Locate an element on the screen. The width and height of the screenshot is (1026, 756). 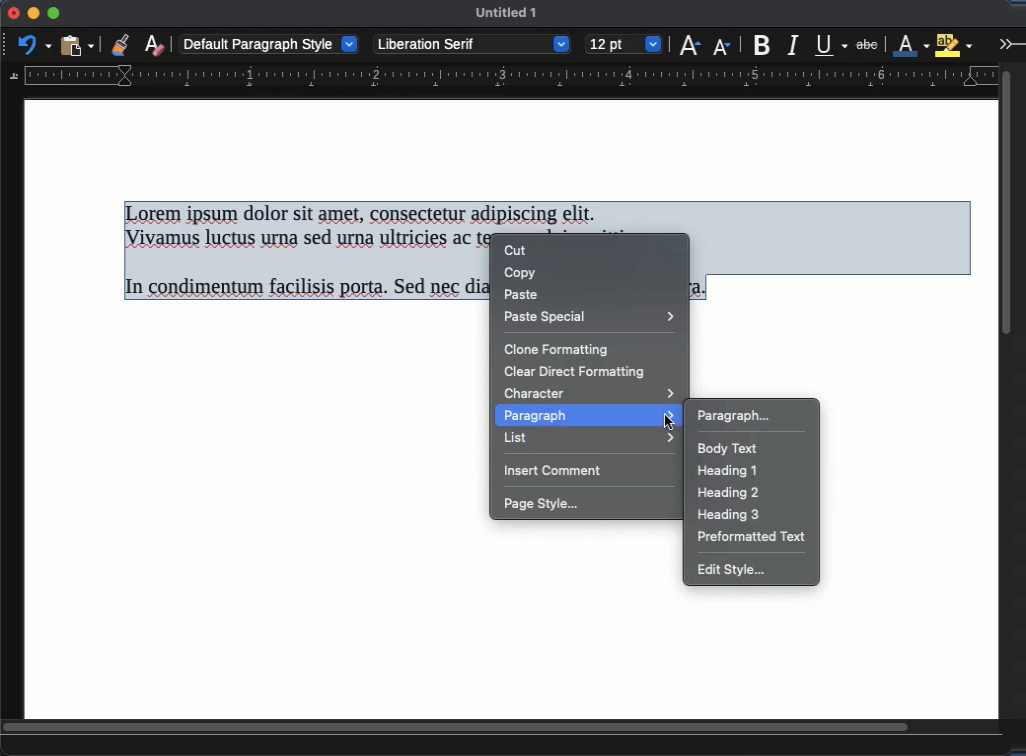
highlight color is located at coordinates (954, 43).